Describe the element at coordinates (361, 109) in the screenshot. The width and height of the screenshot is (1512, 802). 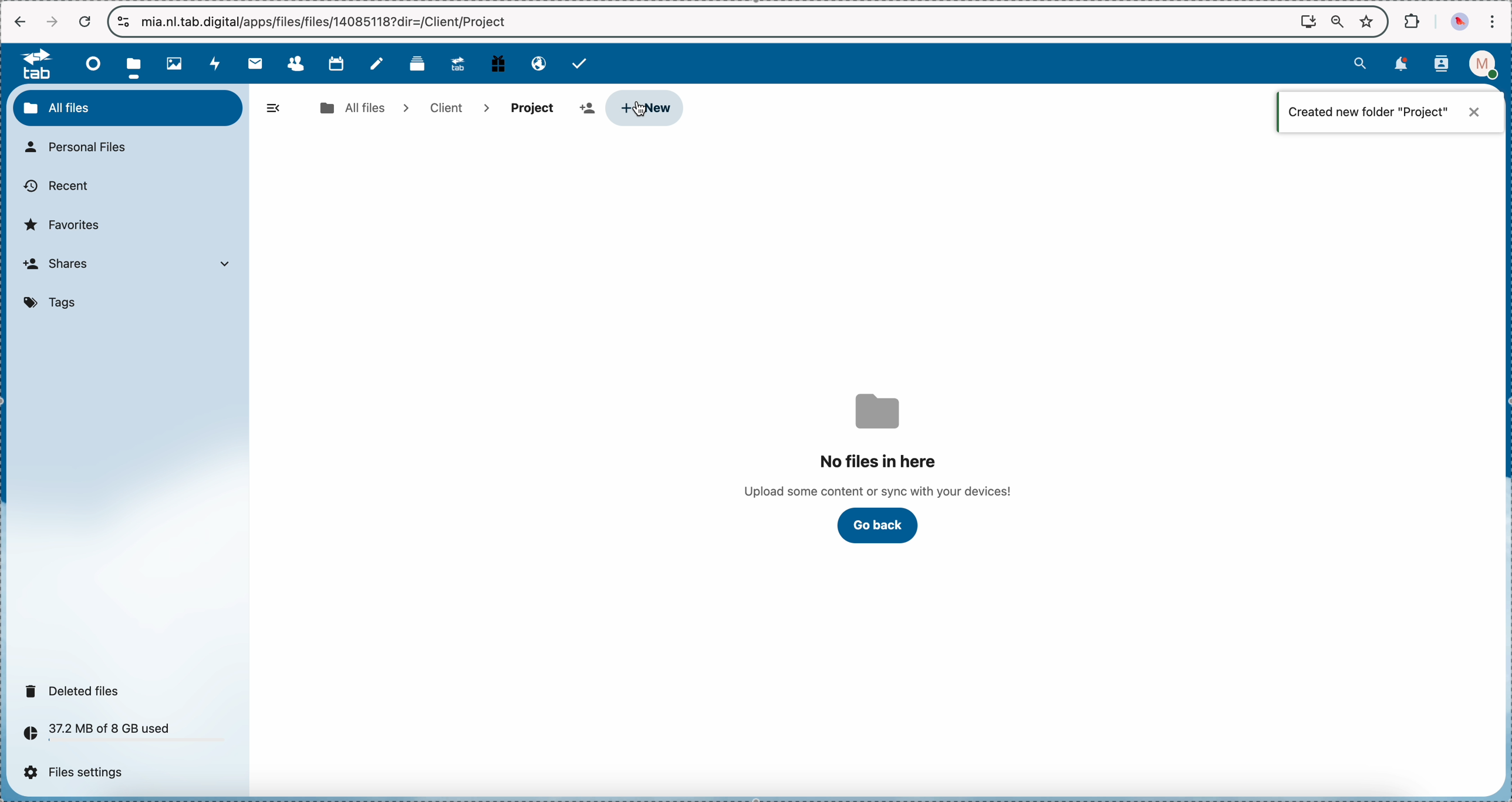
I see `all files` at that location.